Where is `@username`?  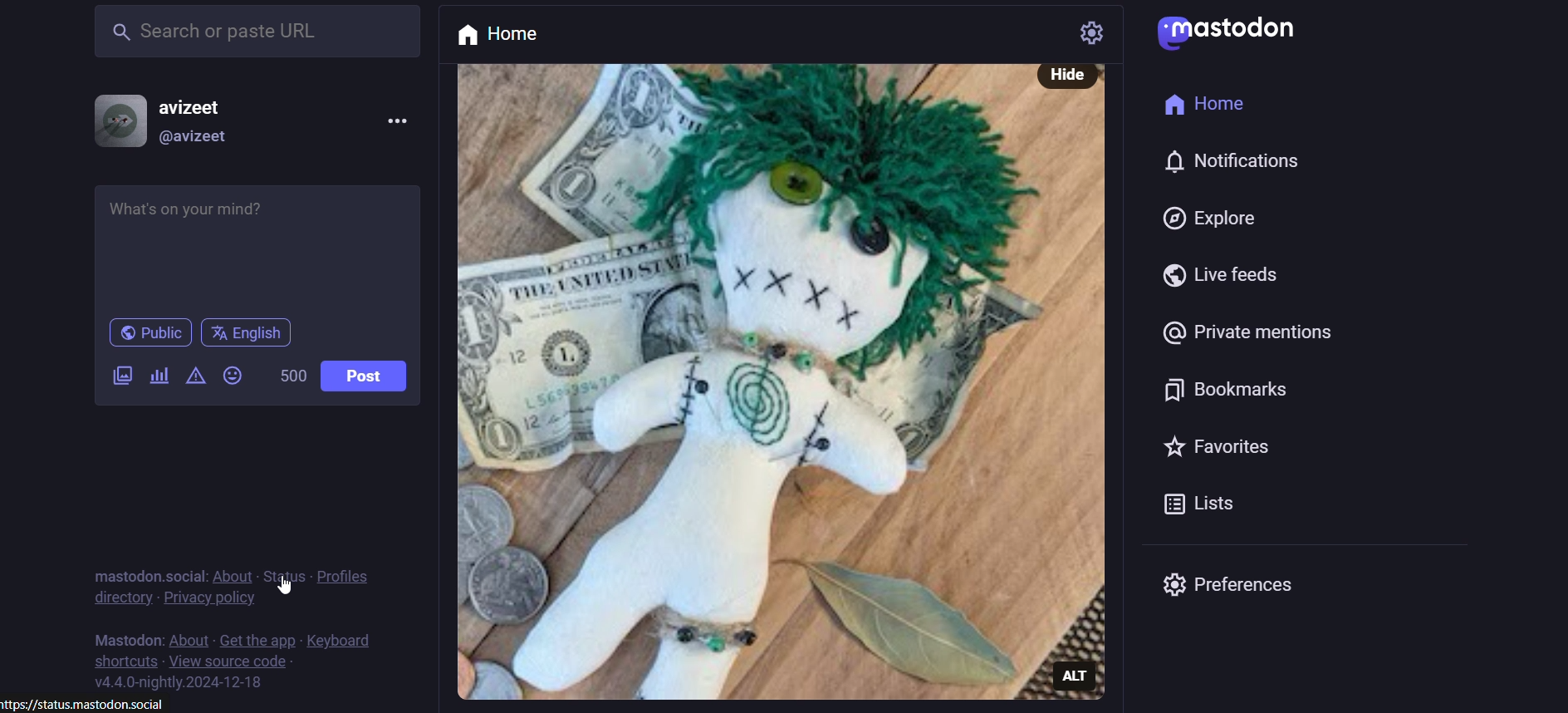 @username is located at coordinates (203, 138).